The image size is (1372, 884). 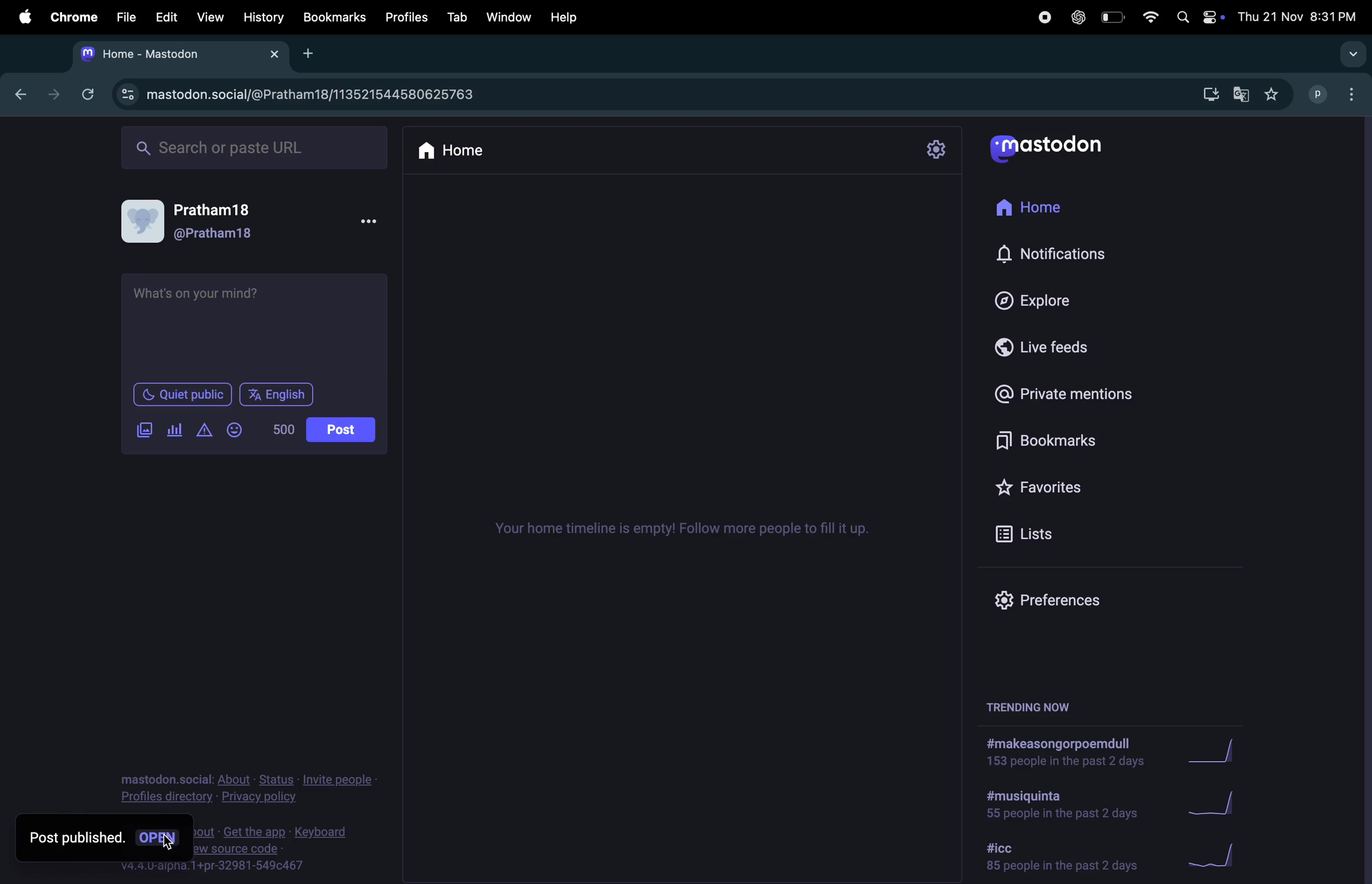 What do you see at coordinates (1036, 704) in the screenshot?
I see `trending now` at bounding box center [1036, 704].